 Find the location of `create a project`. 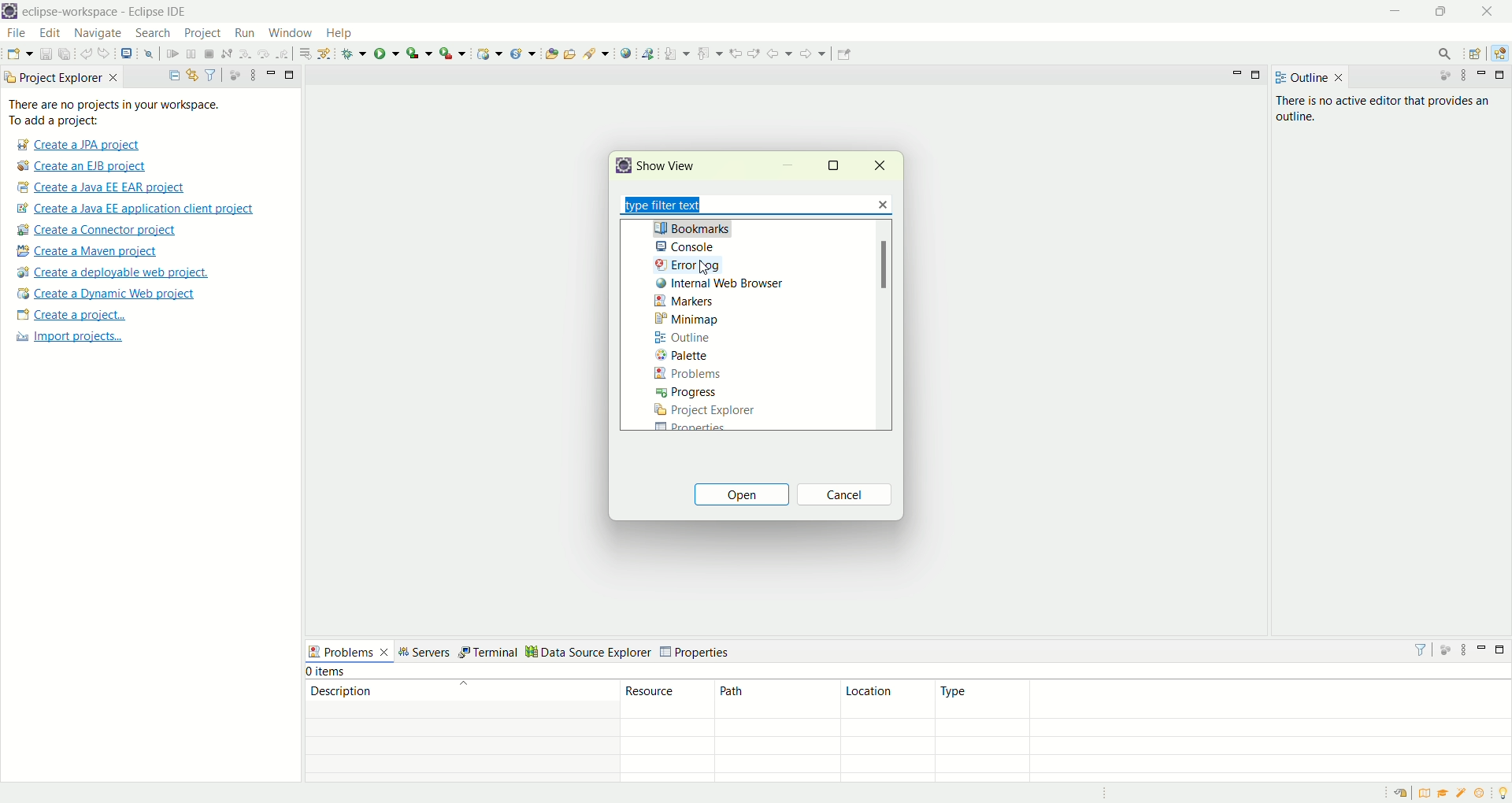

create a project is located at coordinates (69, 316).